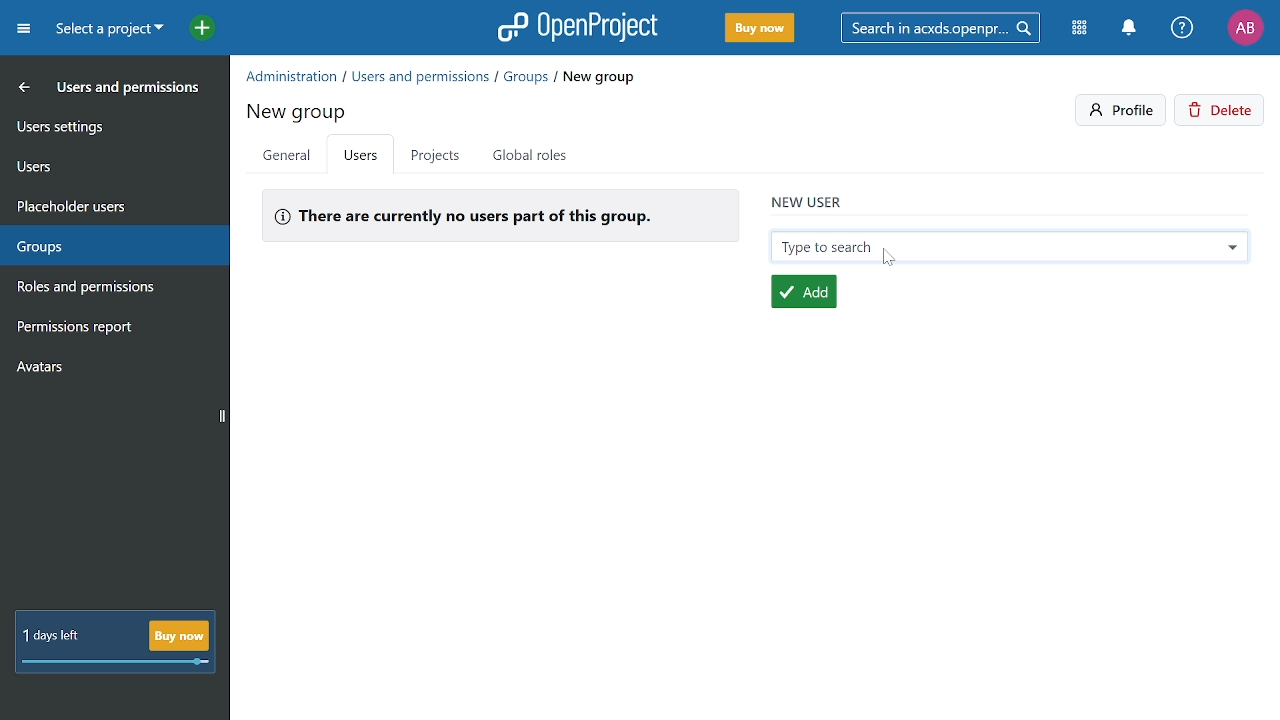 The image size is (1280, 720). I want to click on Users, so click(112, 163).